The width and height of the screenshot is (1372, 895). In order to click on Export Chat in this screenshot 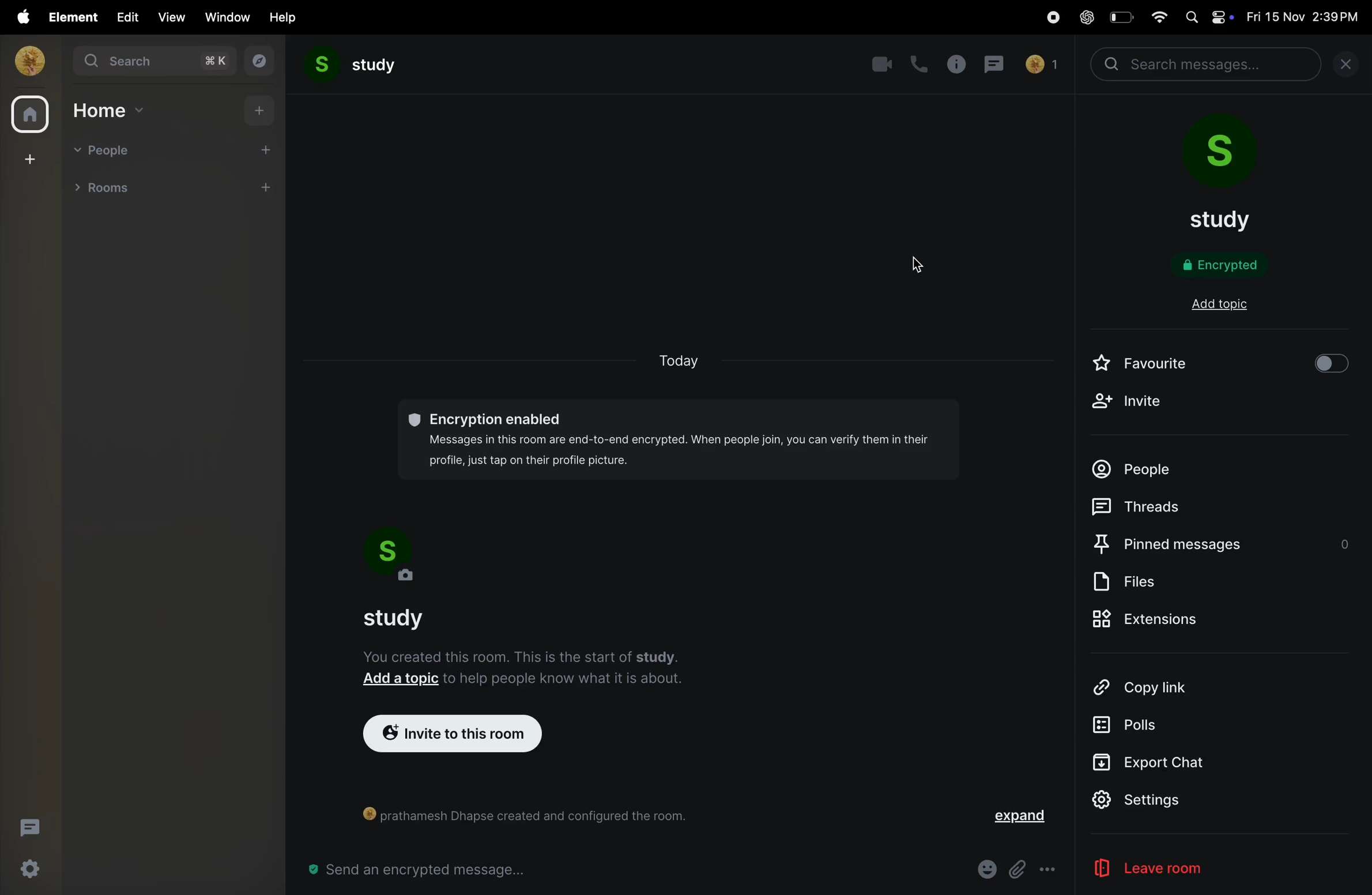, I will do `click(1150, 762)`.